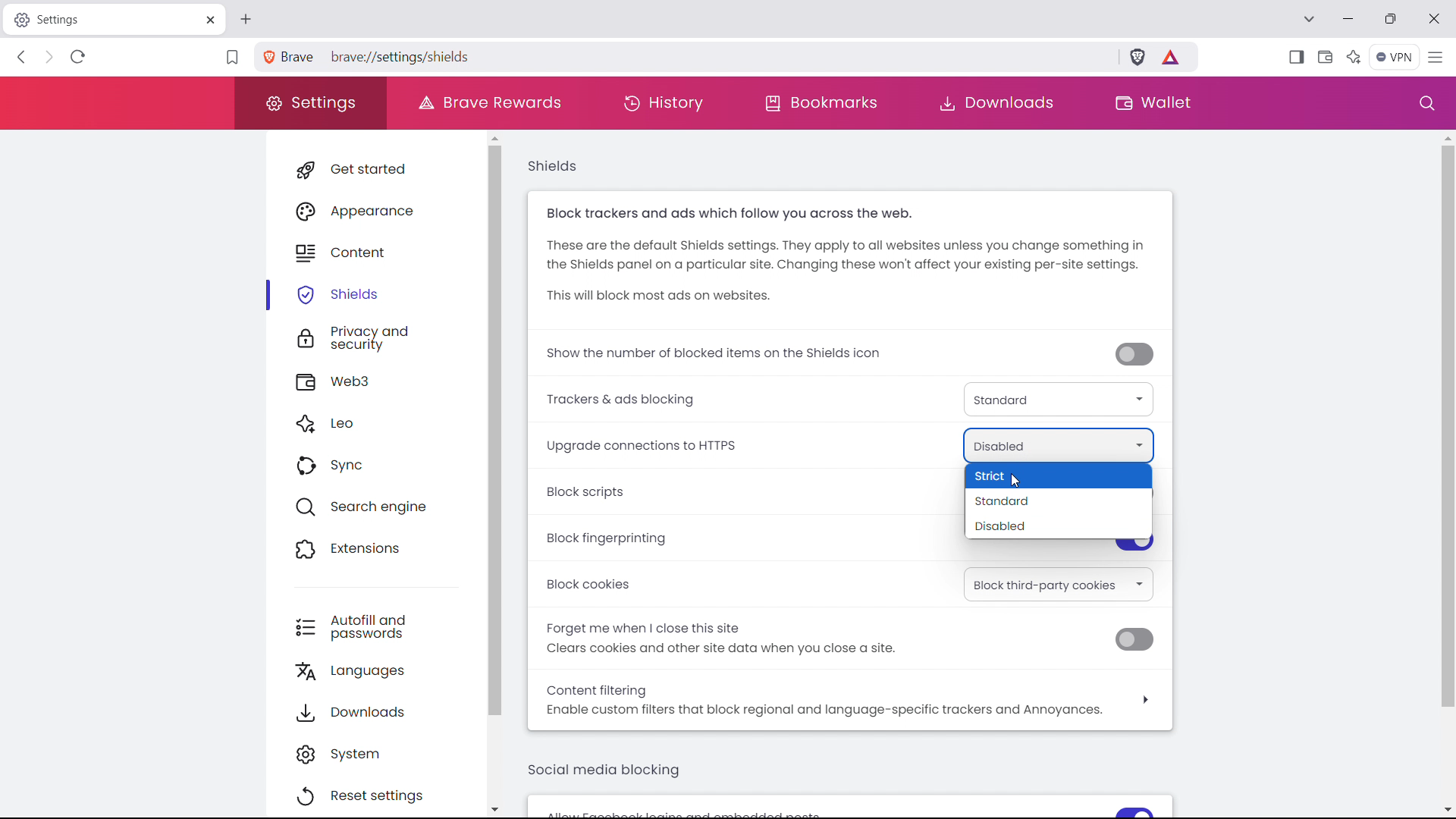 This screenshot has width=1456, height=819. I want to click on Clears cookies and other site data when you close a site., so click(730, 649).